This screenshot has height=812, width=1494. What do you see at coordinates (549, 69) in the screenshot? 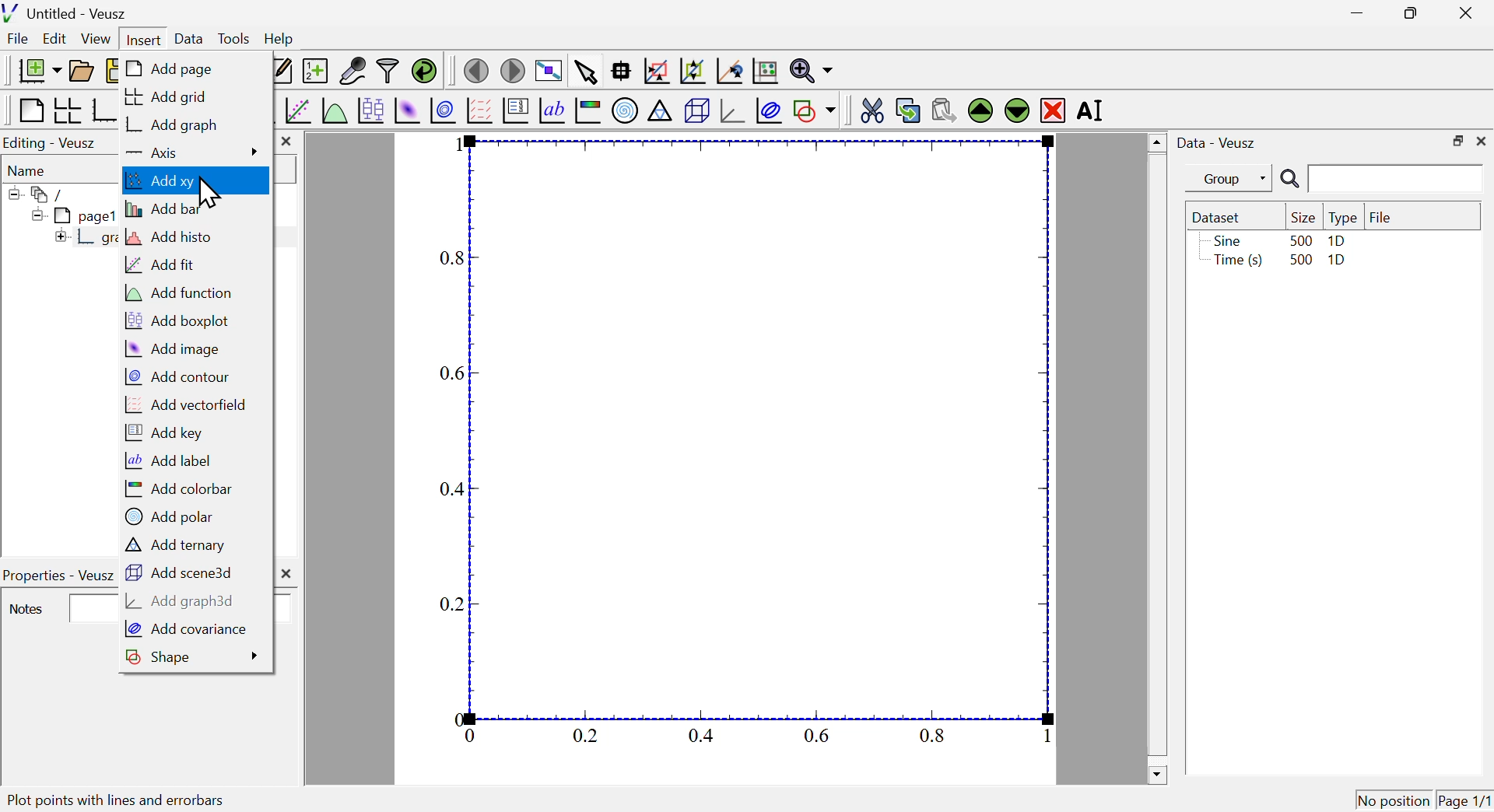
I see `view plot full screen` at bounding box center [549, 69].